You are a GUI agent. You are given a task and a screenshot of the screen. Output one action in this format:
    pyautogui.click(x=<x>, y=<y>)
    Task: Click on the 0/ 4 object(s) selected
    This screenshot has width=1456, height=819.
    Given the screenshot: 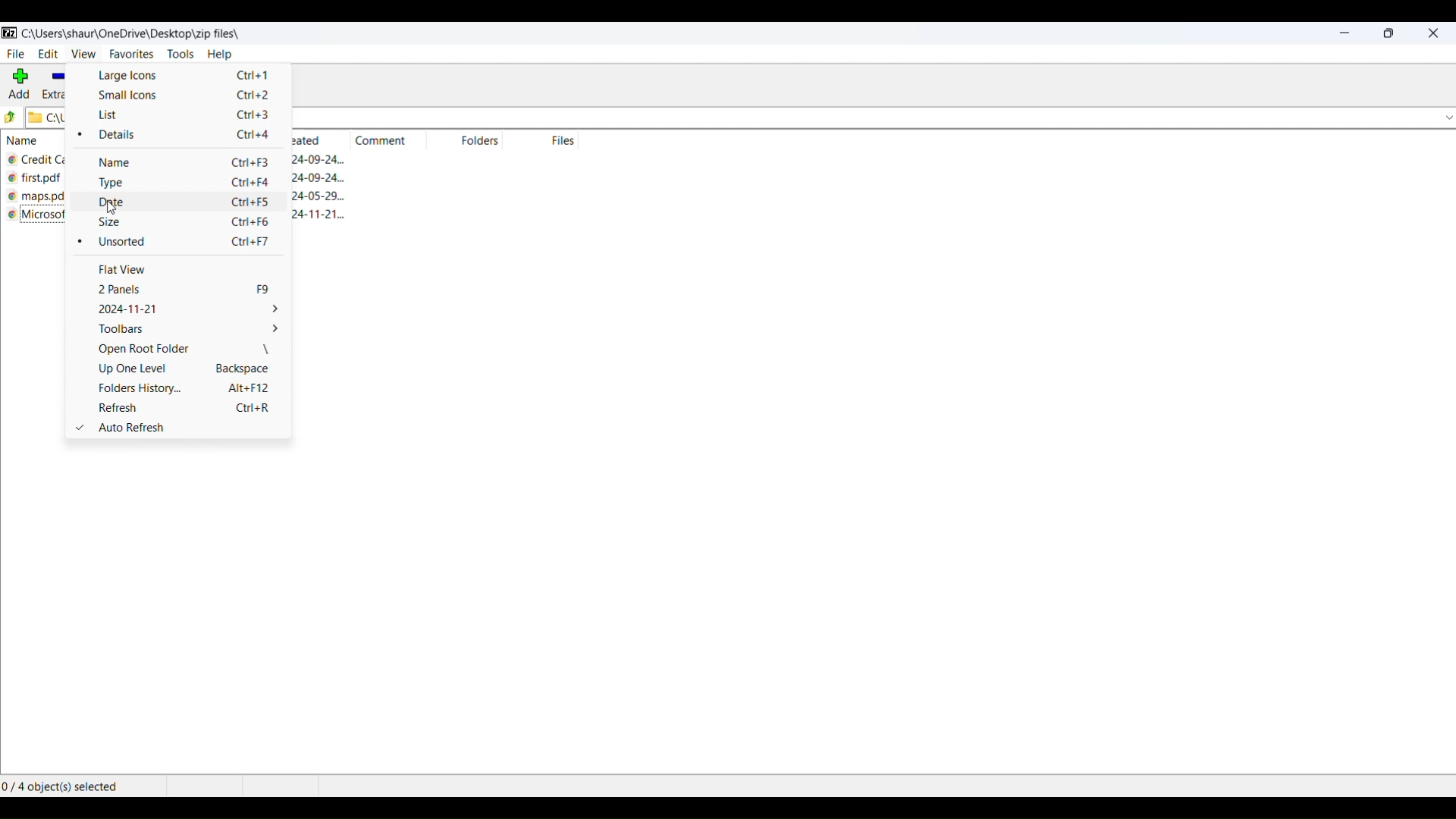 What is the action you would take?
    pyautogui.click(x=63, y=788)
    